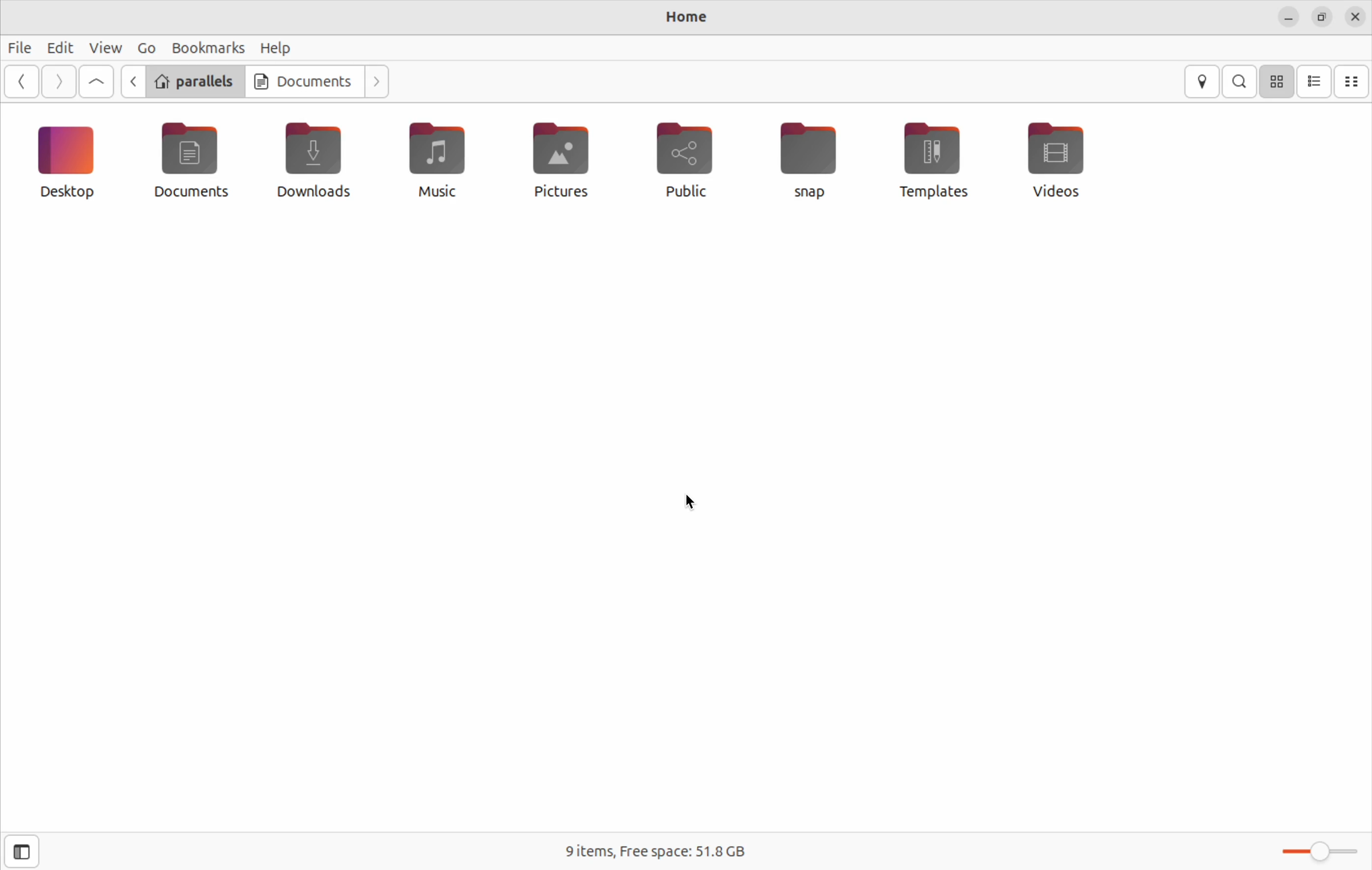 This screenshot has height=870, width=1372. Describe the element at coordinates (1204, 82) in the screenshot. I see `location` at that location.